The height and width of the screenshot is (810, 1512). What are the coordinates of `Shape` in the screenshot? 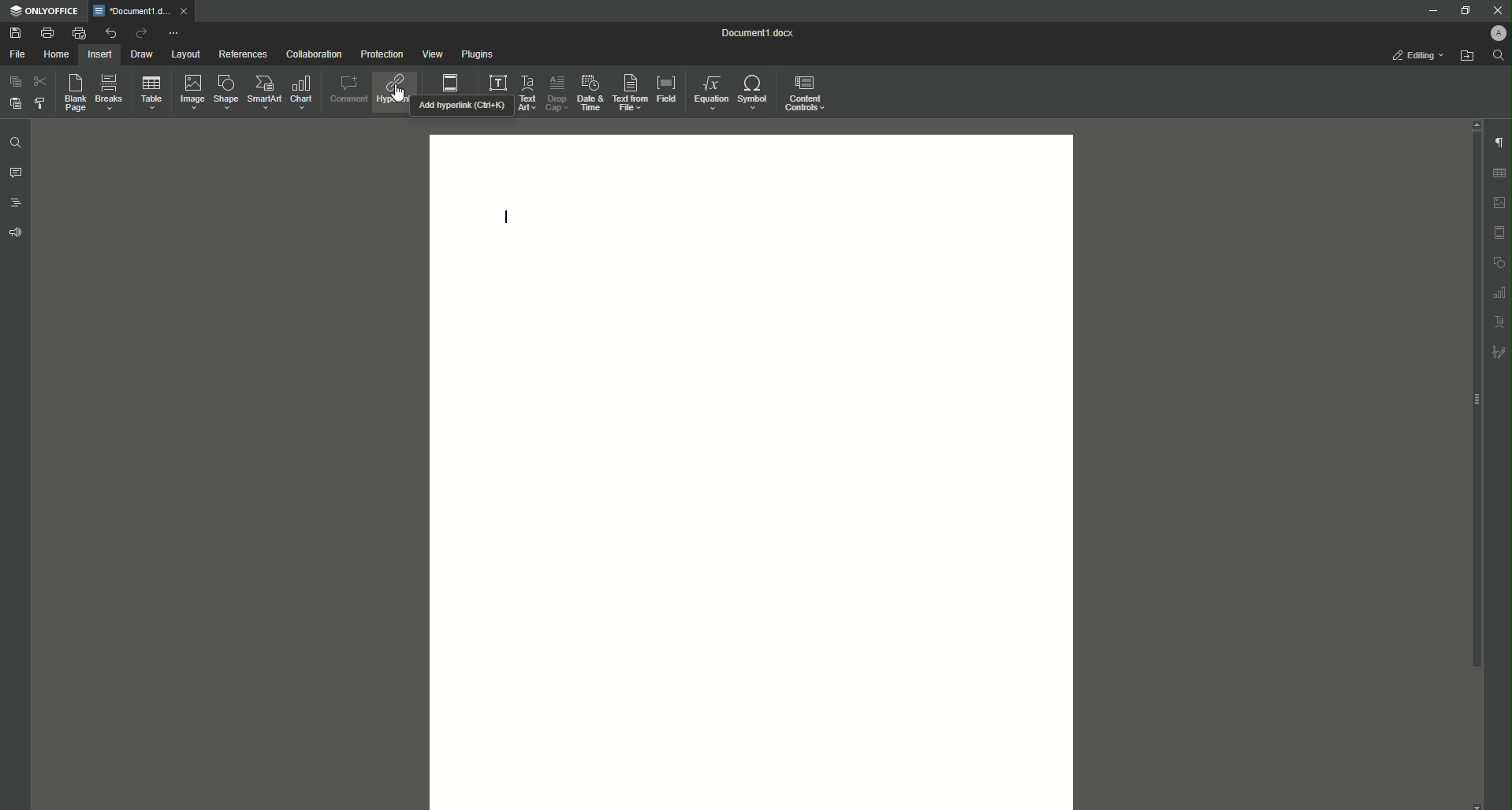 It's located at (225, 91).